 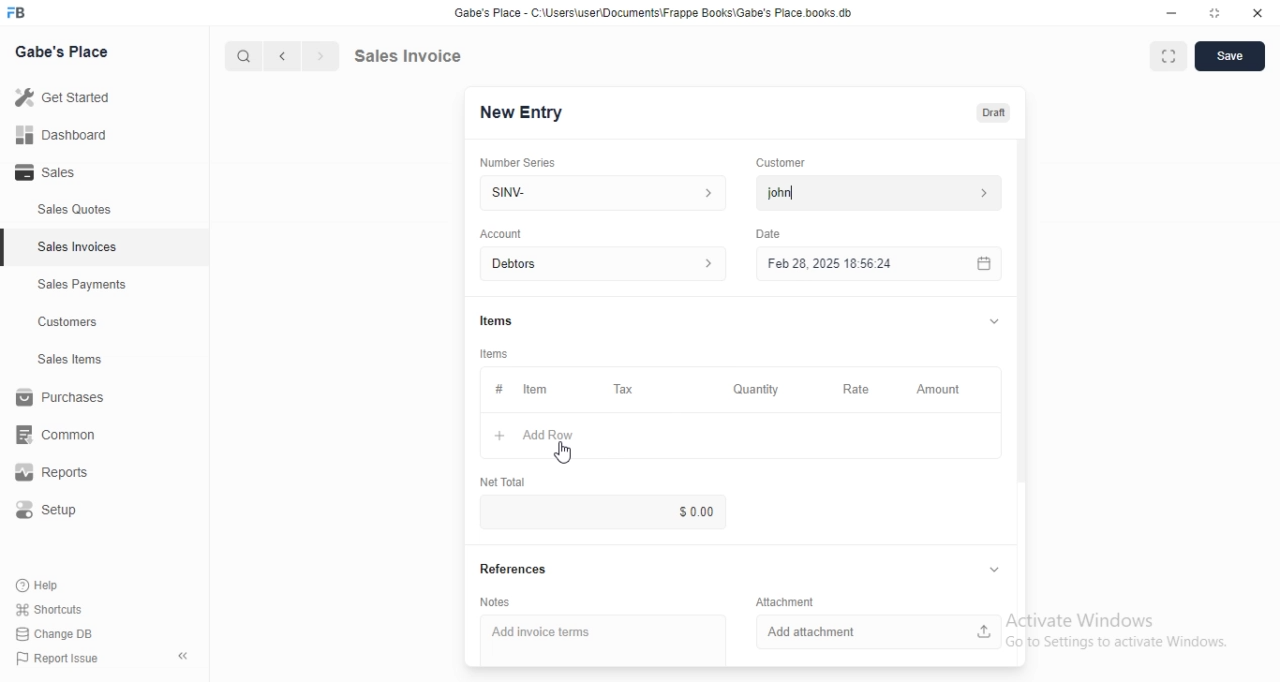 I want to click on maximize, so click(x=1216, y=15).